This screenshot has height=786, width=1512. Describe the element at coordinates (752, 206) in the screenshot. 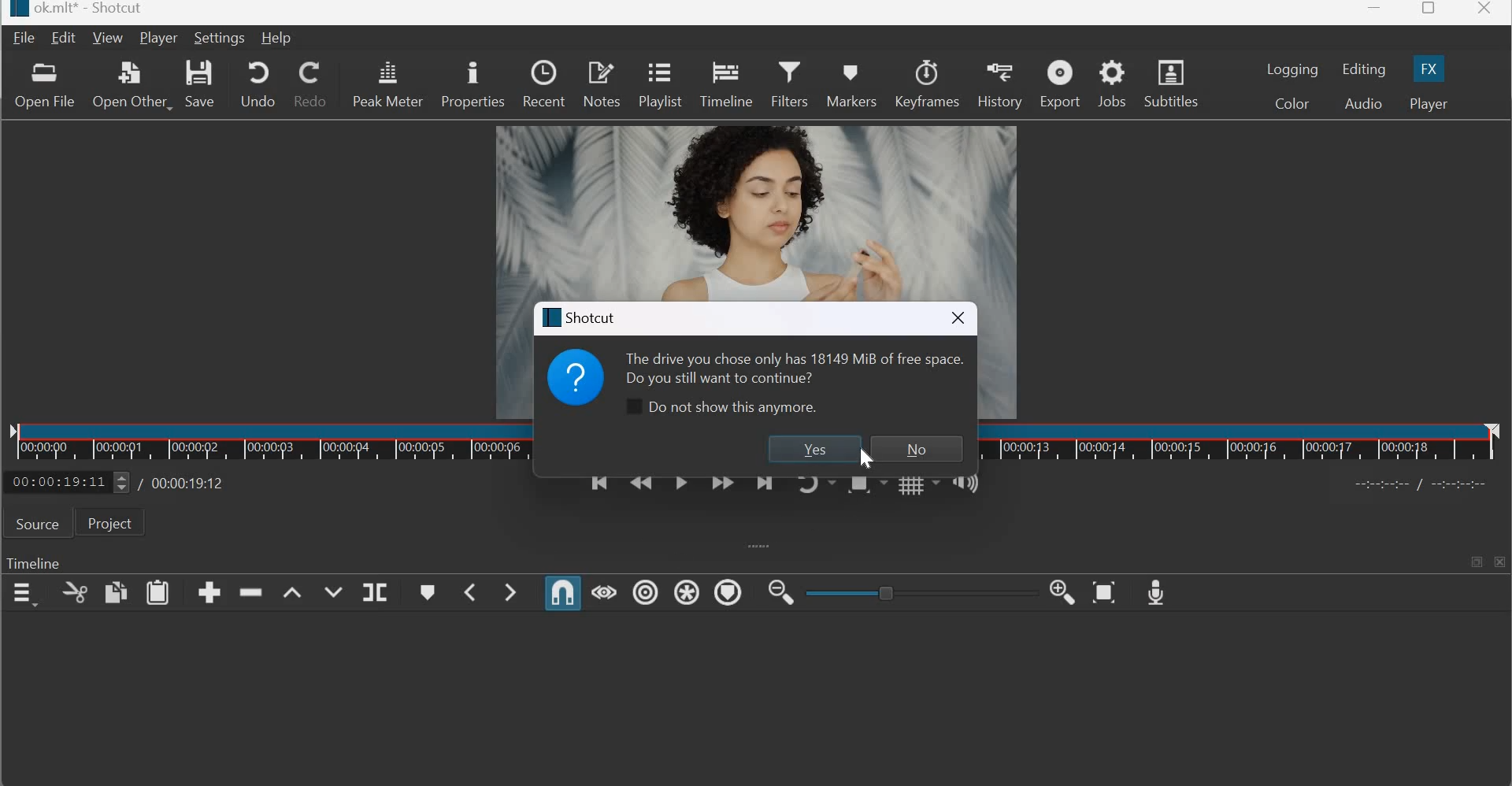

I see `Canvas` at that location.